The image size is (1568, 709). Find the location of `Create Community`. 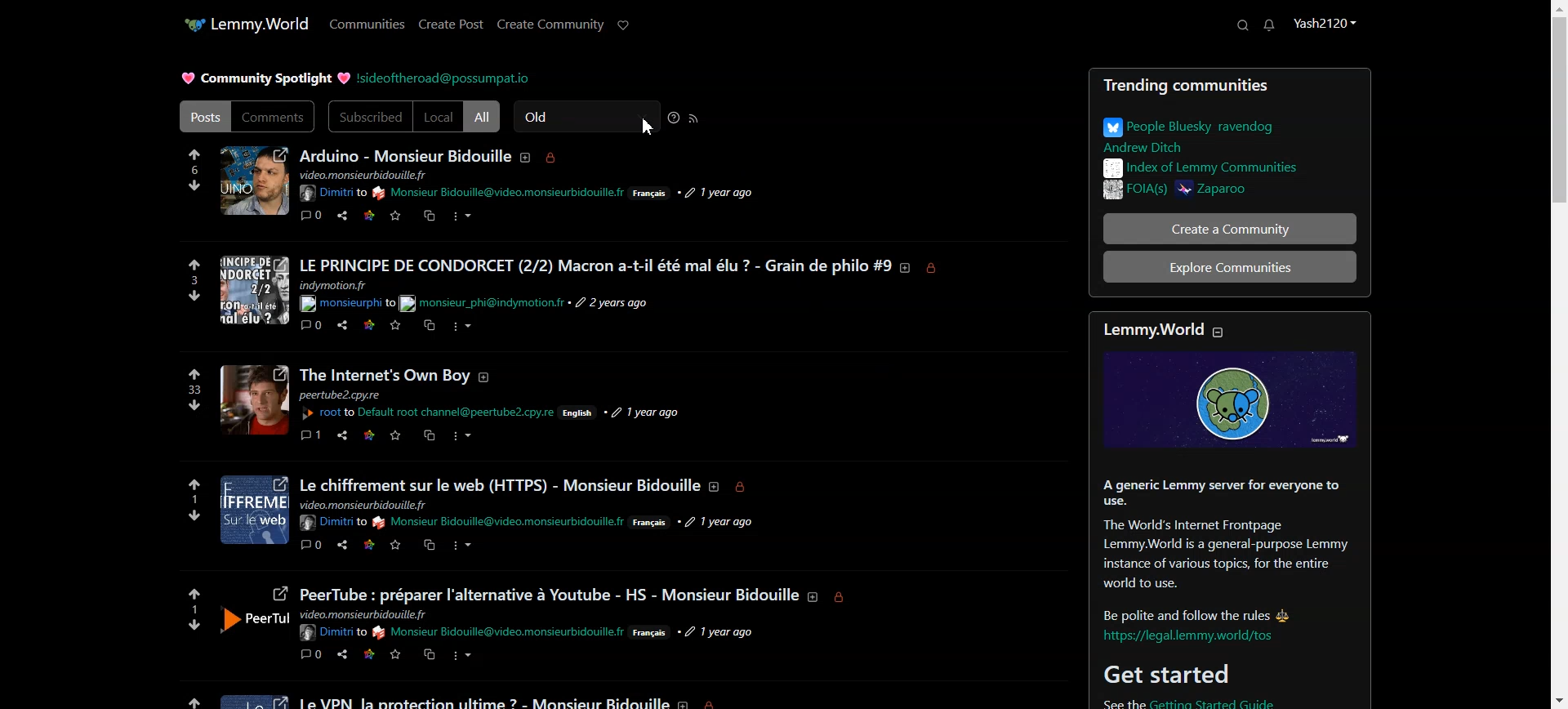

Create Community is located at coordinates (550, 26).